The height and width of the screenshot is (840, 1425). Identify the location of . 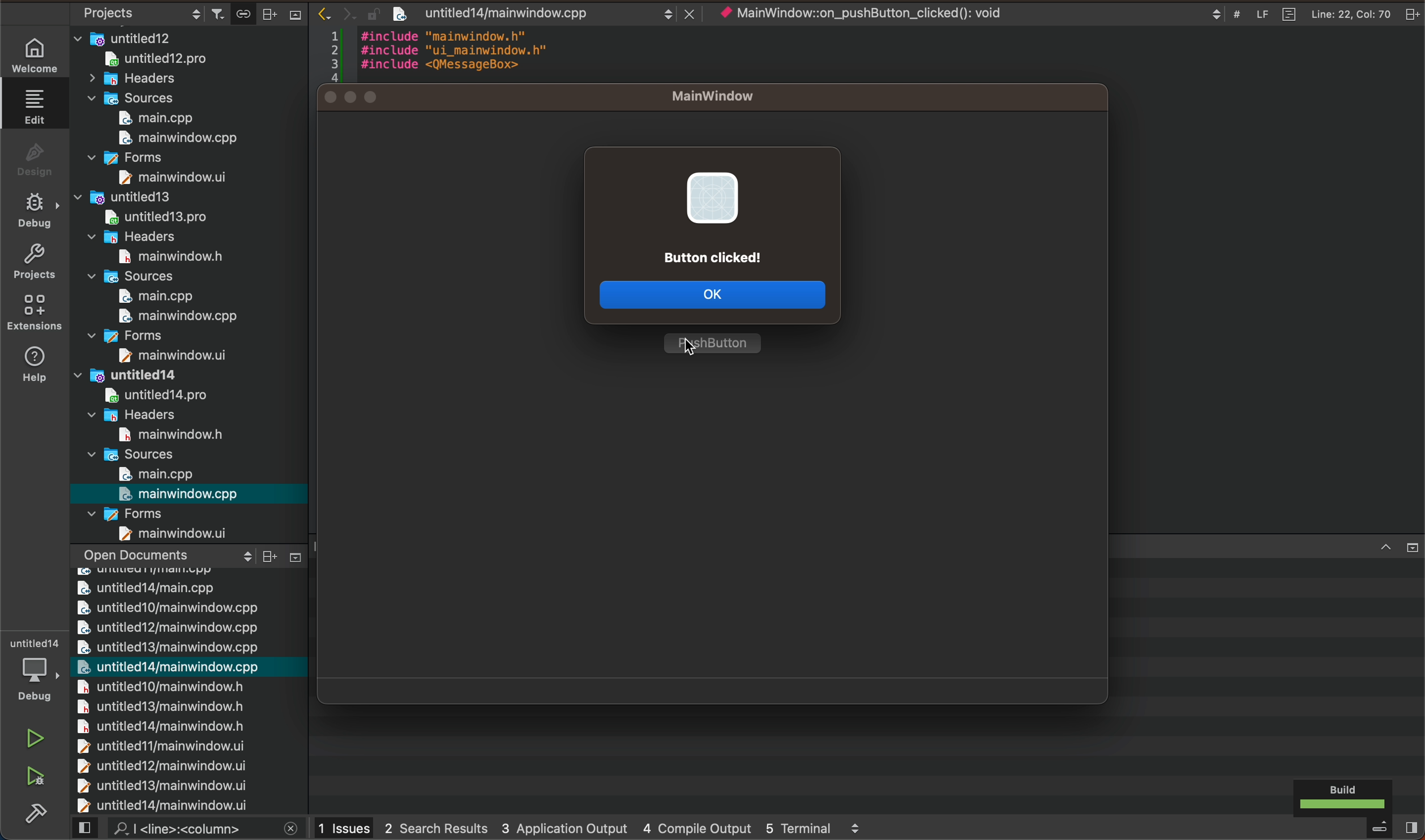
(373, 95).